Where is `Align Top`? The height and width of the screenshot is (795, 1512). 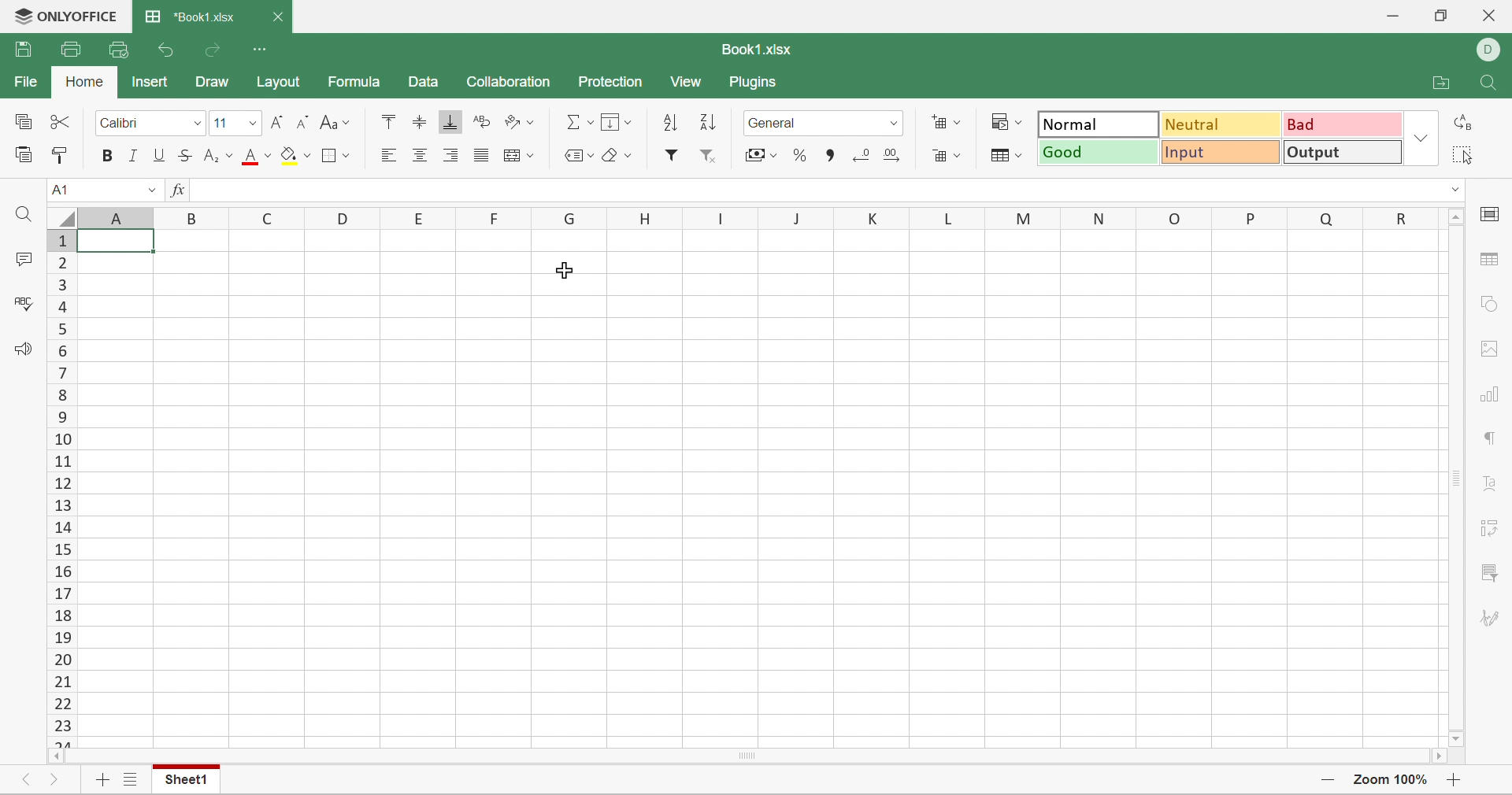 Align Top is located at coordinates (385, 121).